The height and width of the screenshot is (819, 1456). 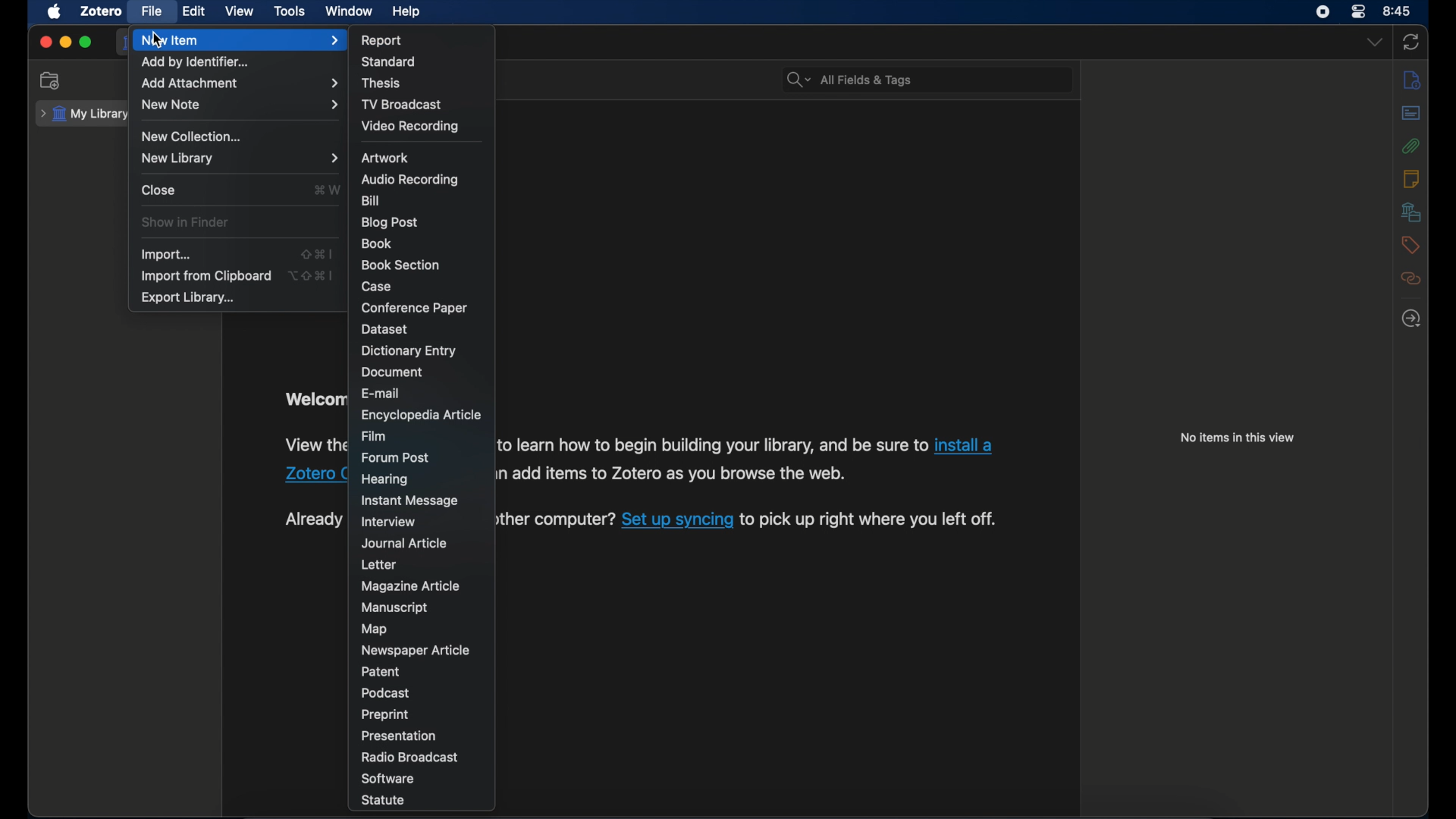 What do you see at coordinates (388, 222) in the screenshot?
I see `blog post` at bounding box center [388, 222].